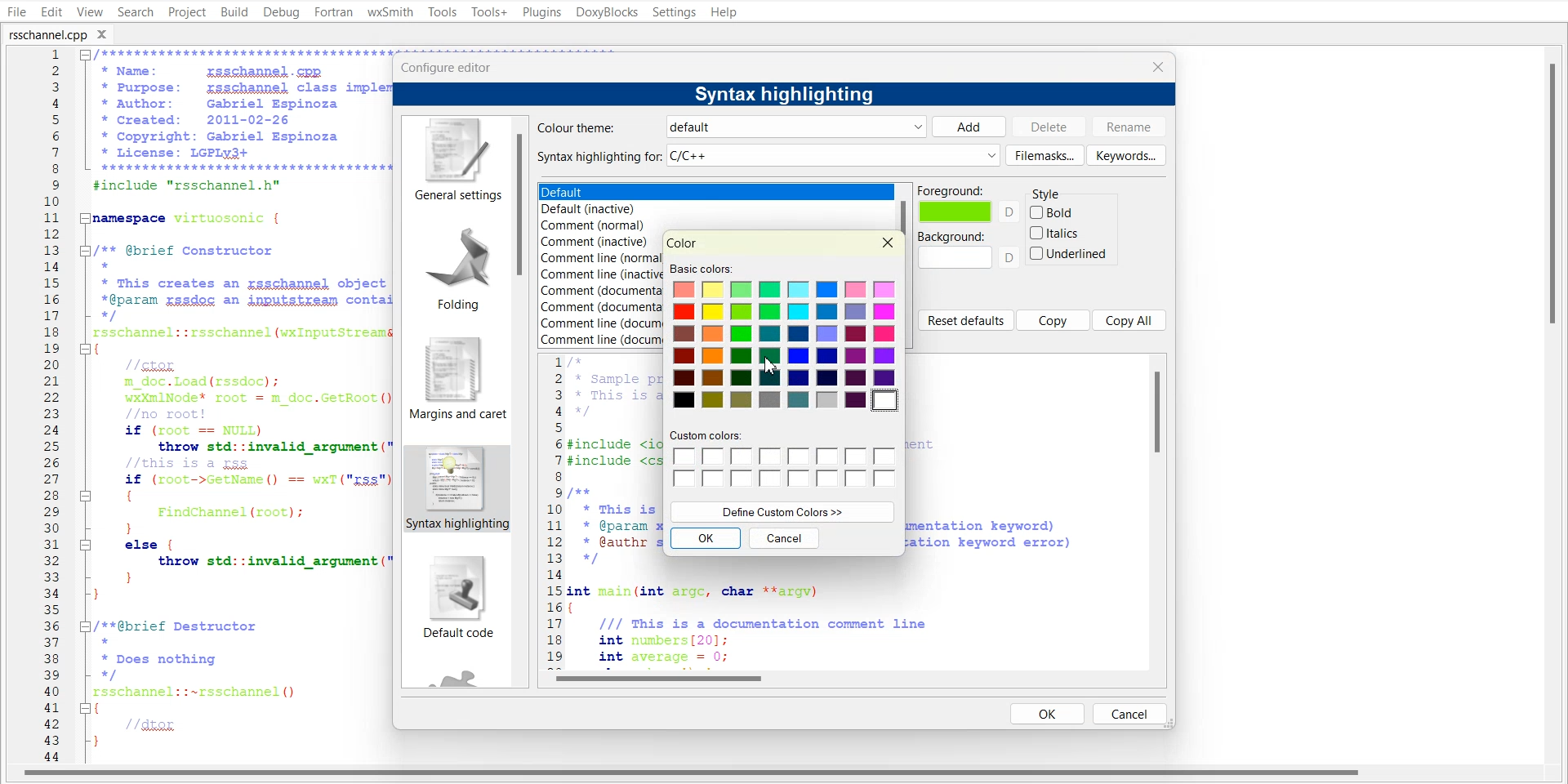 The image size is (1568, 784). Describe the element at coordinates (965, 320) in the screenshot. I see `Reset defaults` at that location.